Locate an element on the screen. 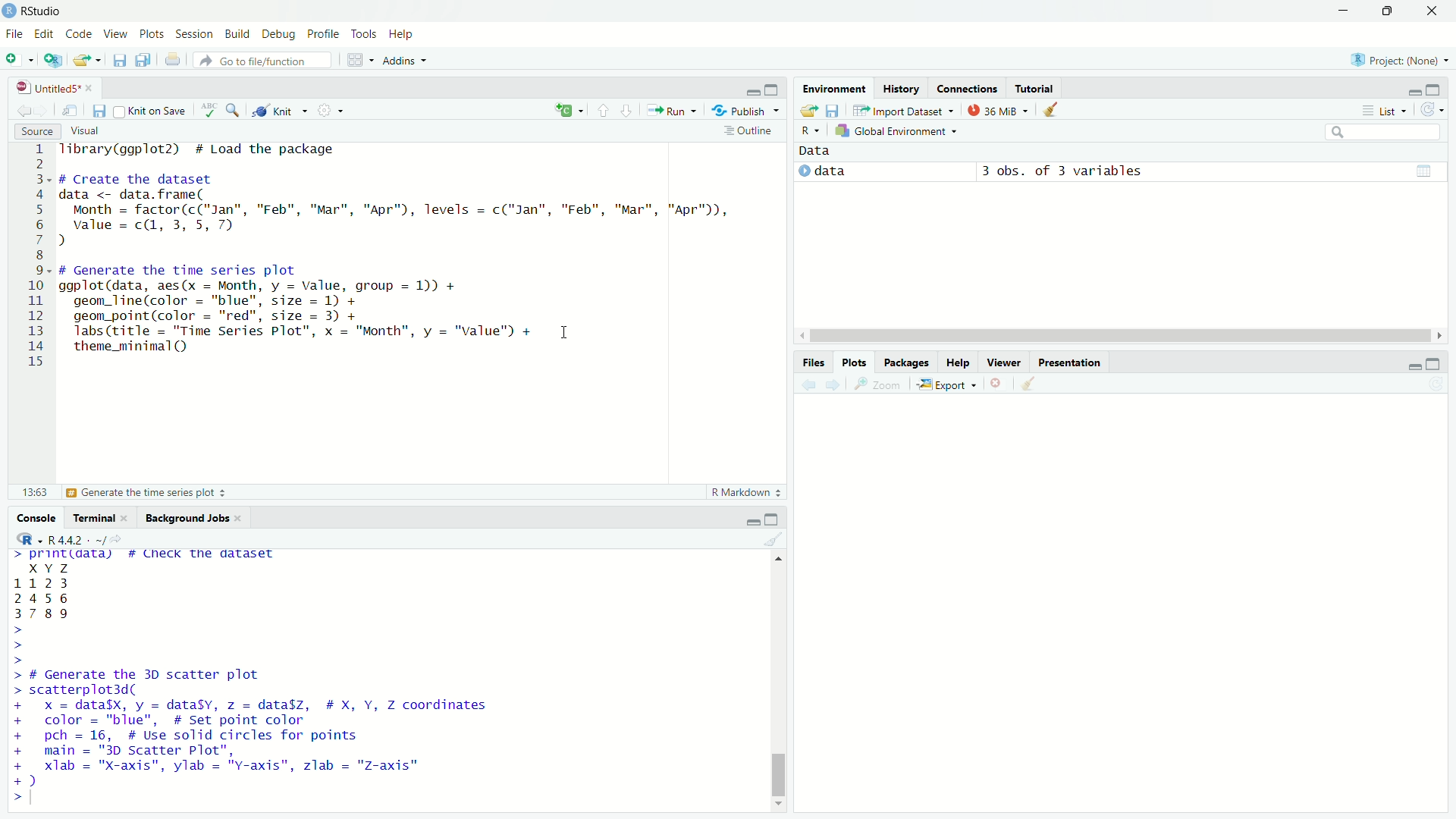 This screenshot has height=819, width=1456. run the current line or selection is located at coordinates (673, 110).